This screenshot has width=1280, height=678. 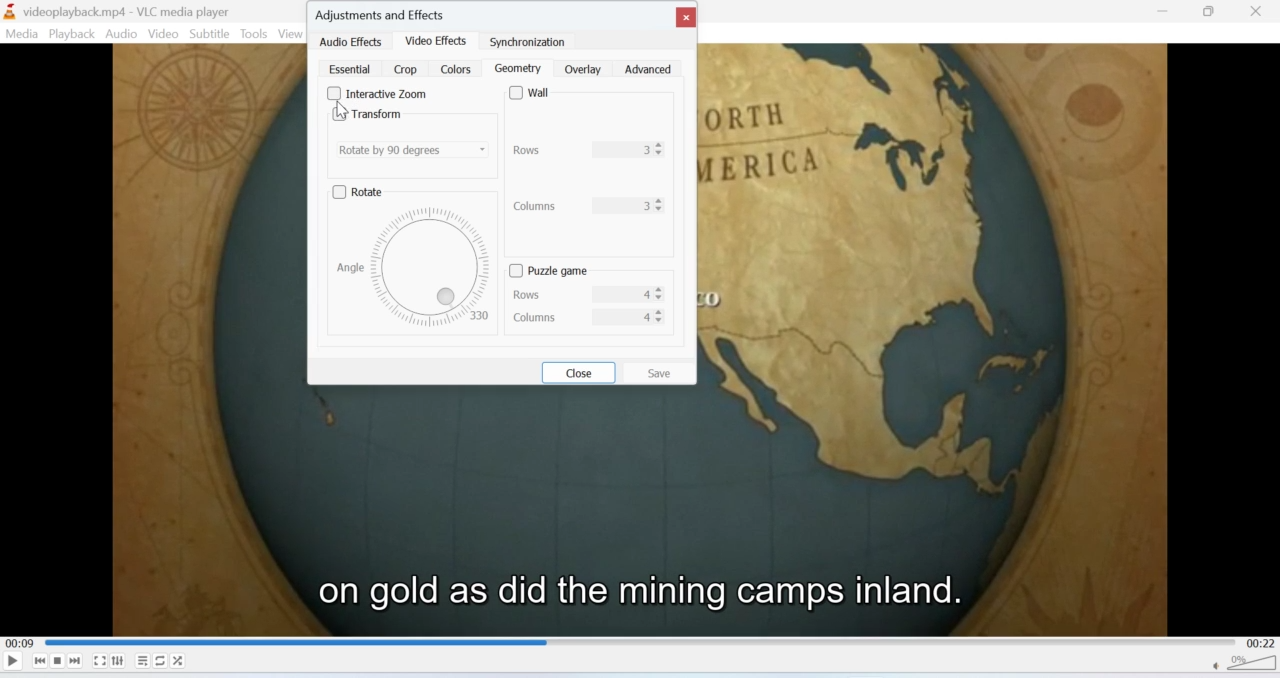 What do you see at coordinates (347, 109) in the screenshot?
I see `cursor on interactive zoom` at bounding box center [347, 109].